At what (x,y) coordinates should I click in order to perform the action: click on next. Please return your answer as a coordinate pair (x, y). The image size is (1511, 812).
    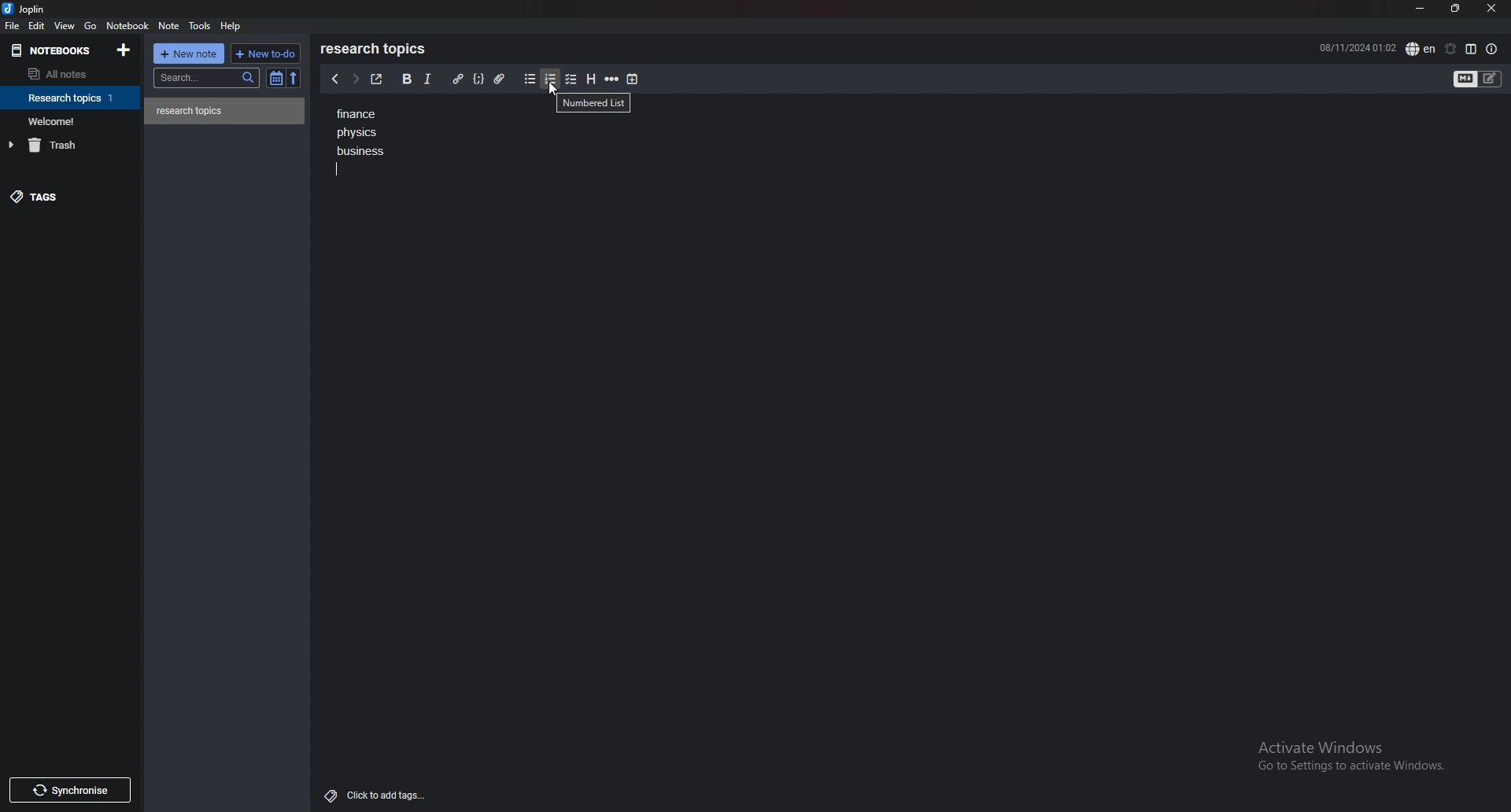
    Looking at the image, I should click on (353, 80).